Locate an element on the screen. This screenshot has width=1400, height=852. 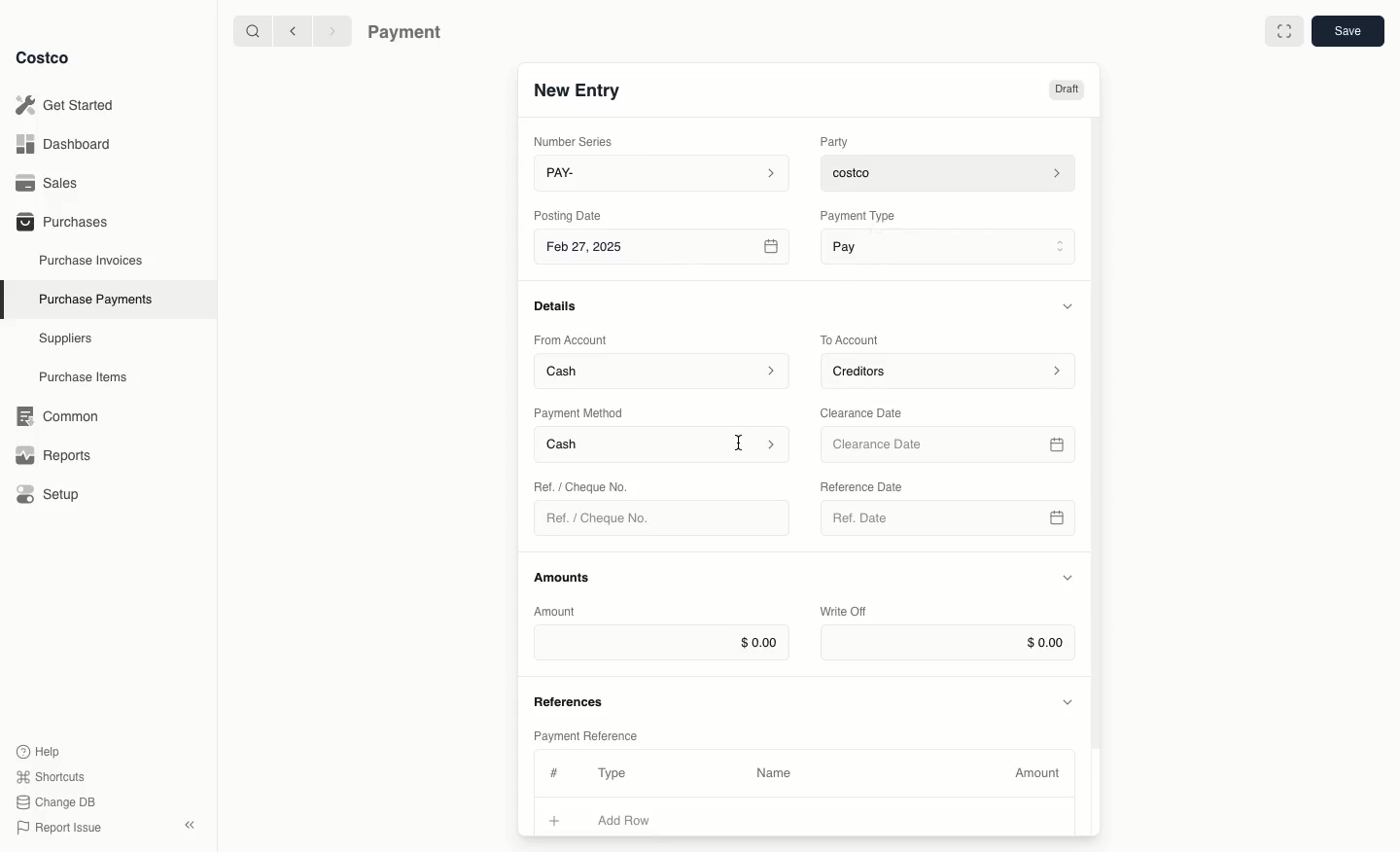
Costco is located at coordinates (42, 57).